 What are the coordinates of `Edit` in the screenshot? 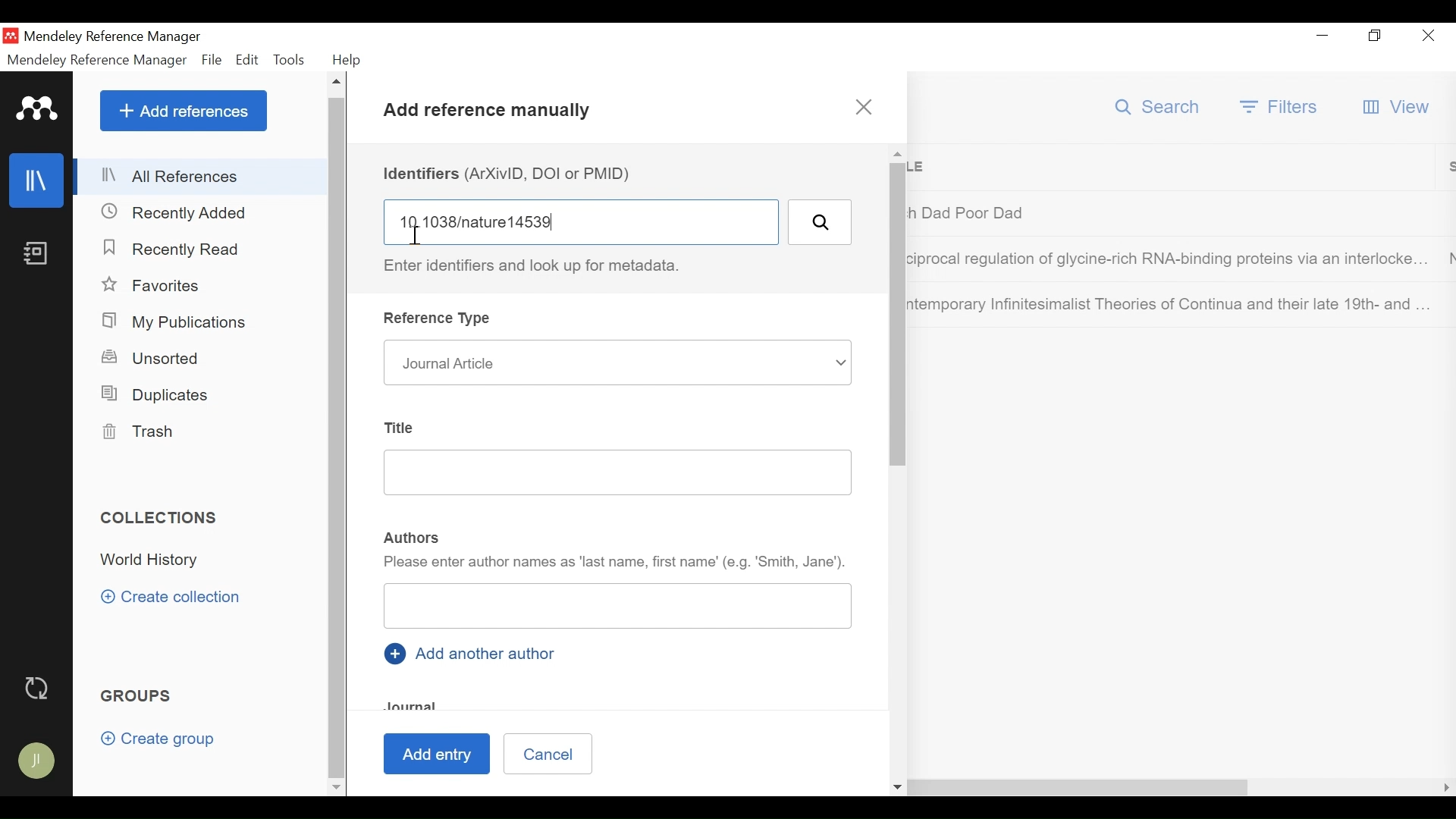 It's located at (248, 59).